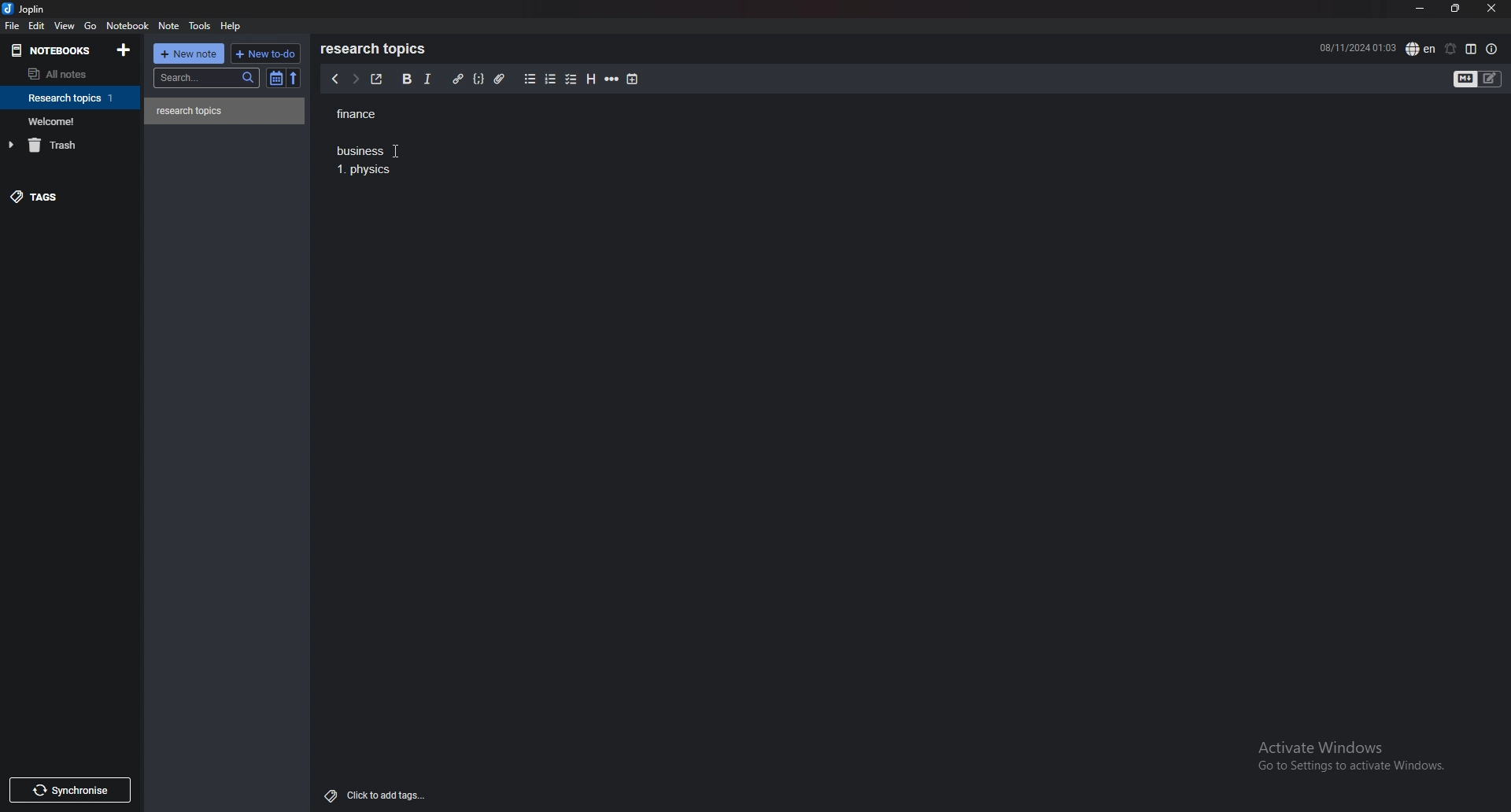 Image resolution: width=1511 pixels, height=812 pixels. I want to click on search bar, so click(208, 77).